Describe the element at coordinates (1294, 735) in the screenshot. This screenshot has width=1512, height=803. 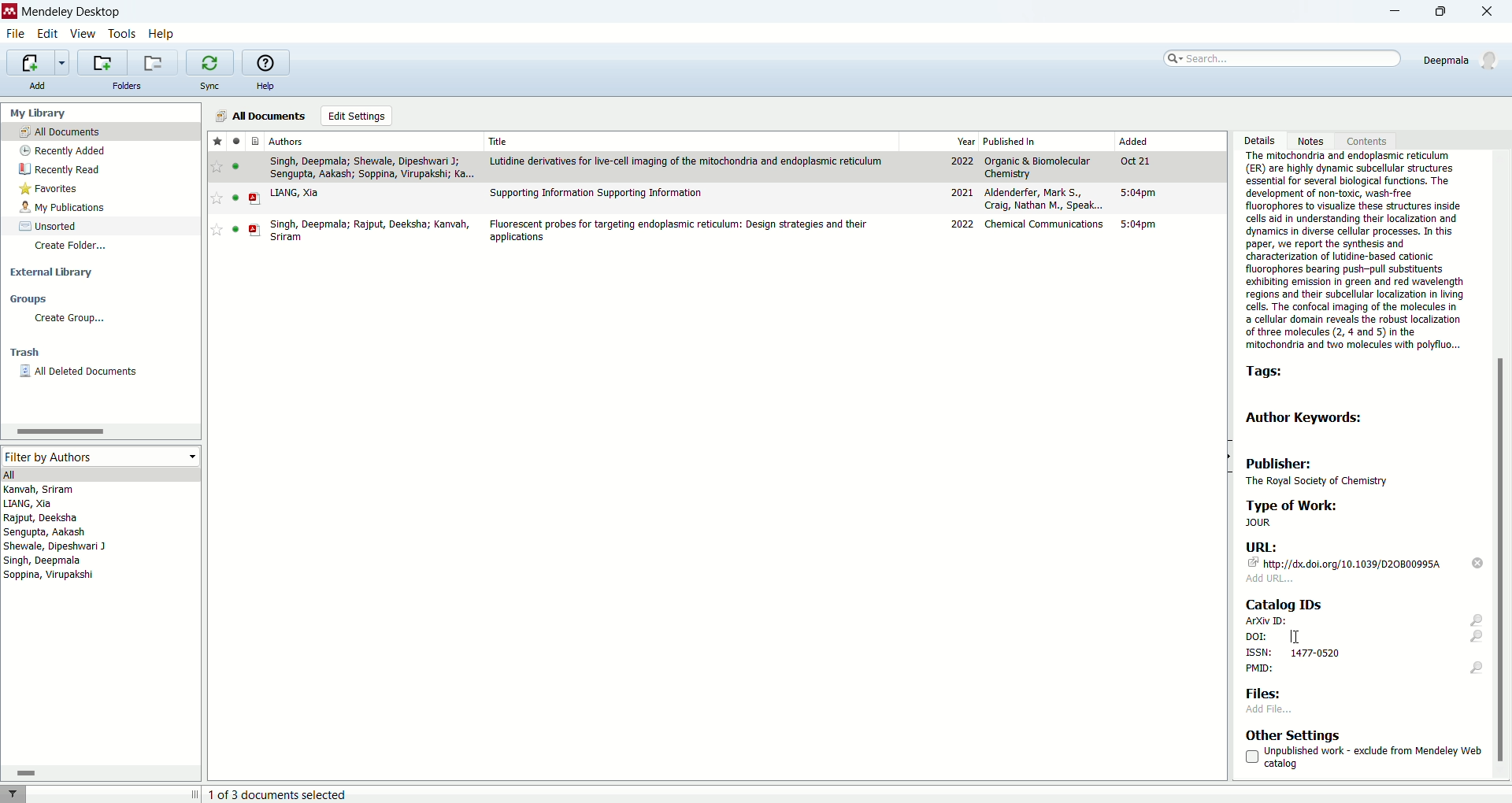
I see `other settings` at that location.